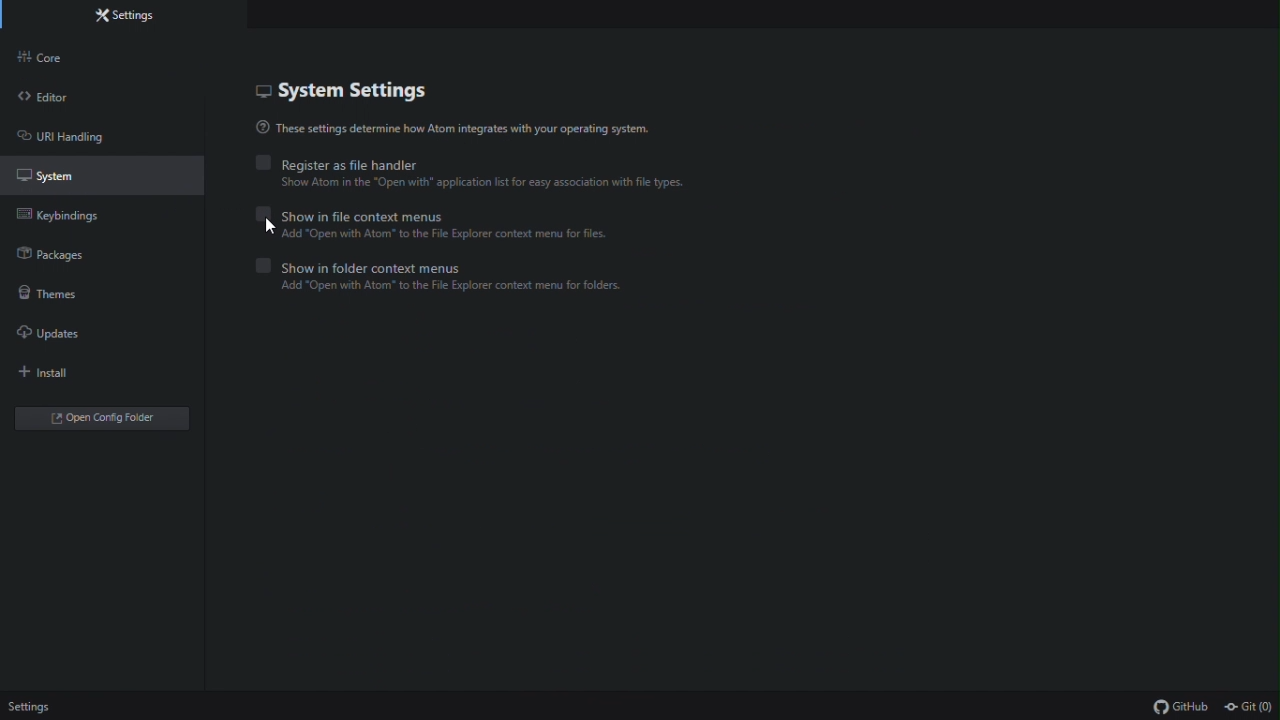 This screenshot has width=1280, height=720. I want to click on Add open with atom to the explorer context menu for files, so click(434, 234).